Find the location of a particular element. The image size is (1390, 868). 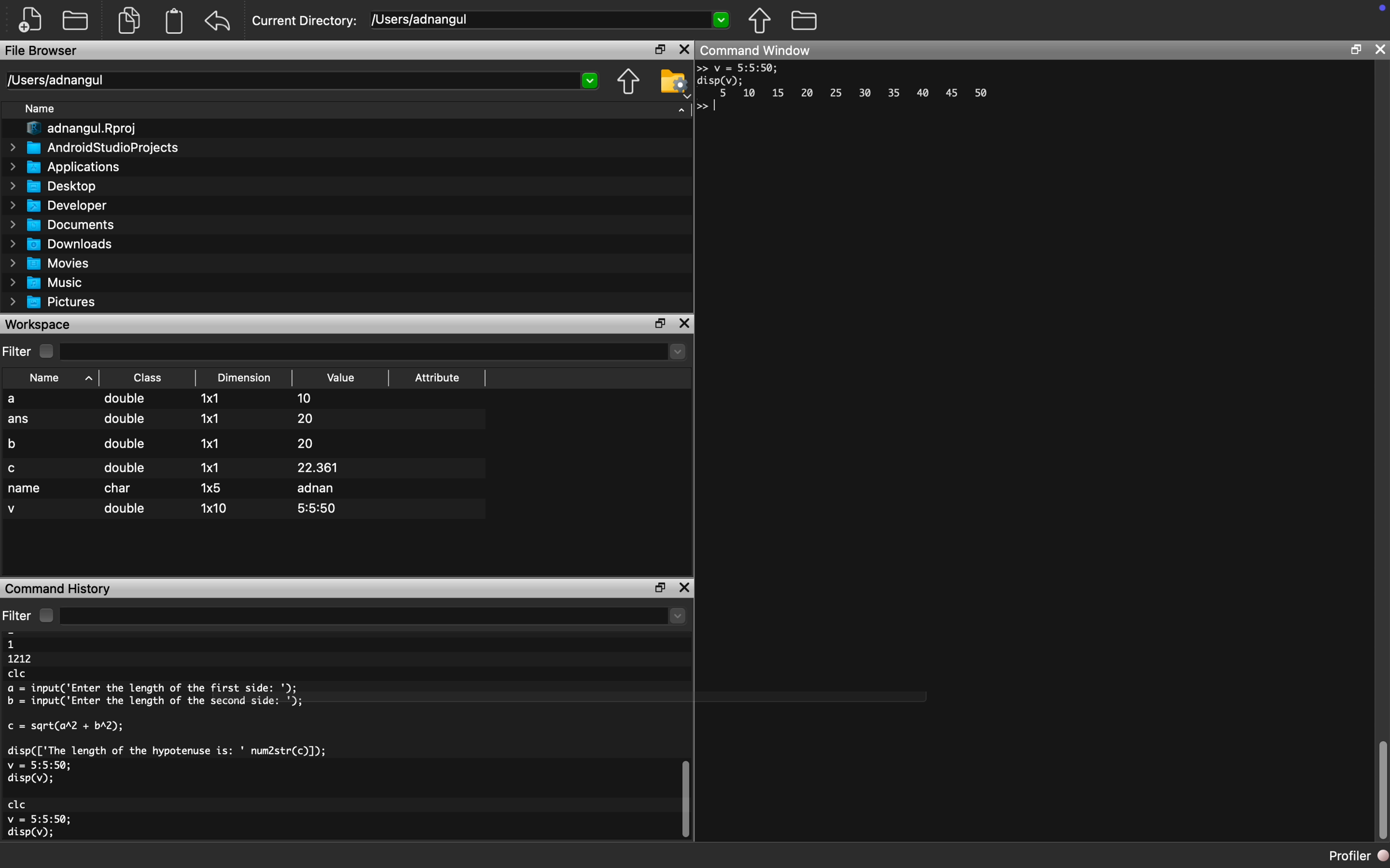

10 is located at coordinates (308, 398).